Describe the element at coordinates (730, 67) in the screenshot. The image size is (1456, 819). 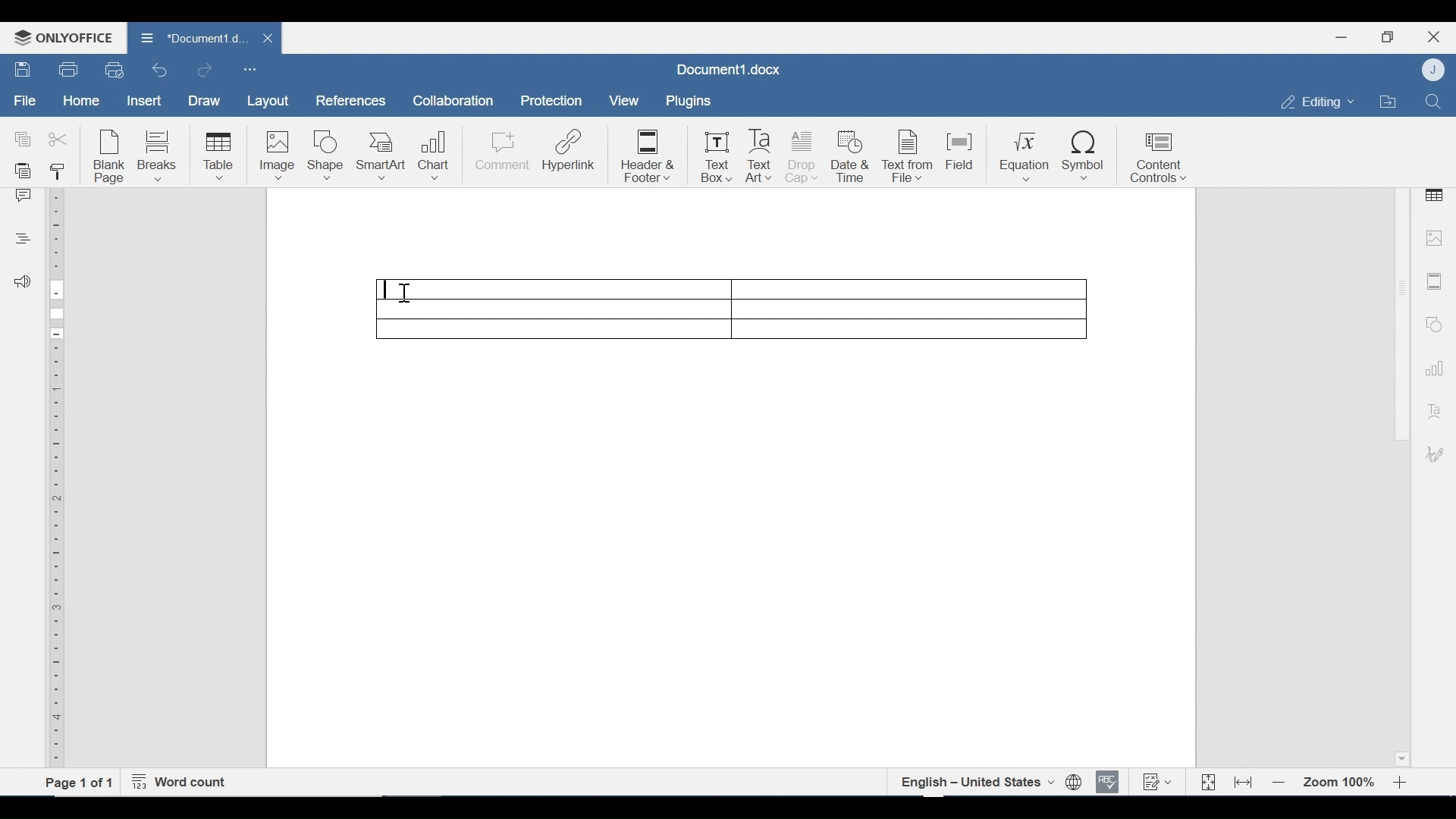
I see `Document1.docx` at that location.